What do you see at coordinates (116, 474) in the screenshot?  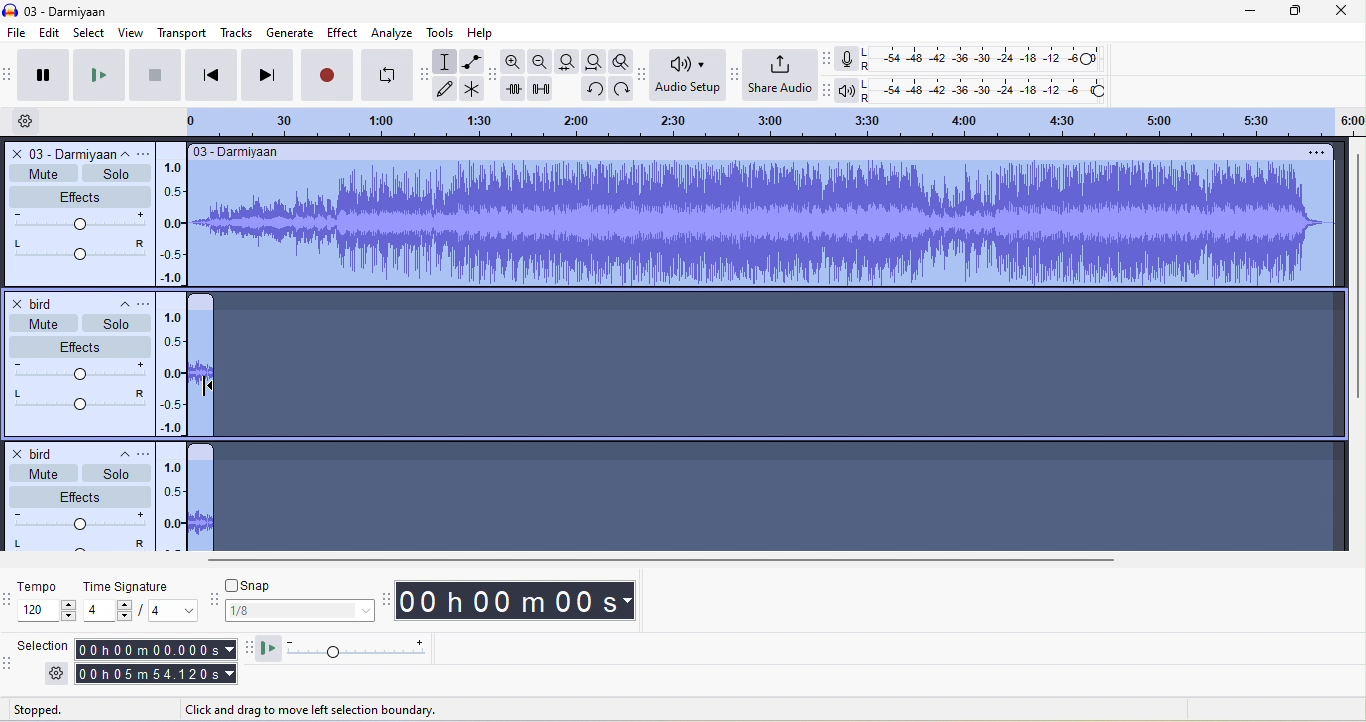 I see `solo` at bounding box center [116, 474].